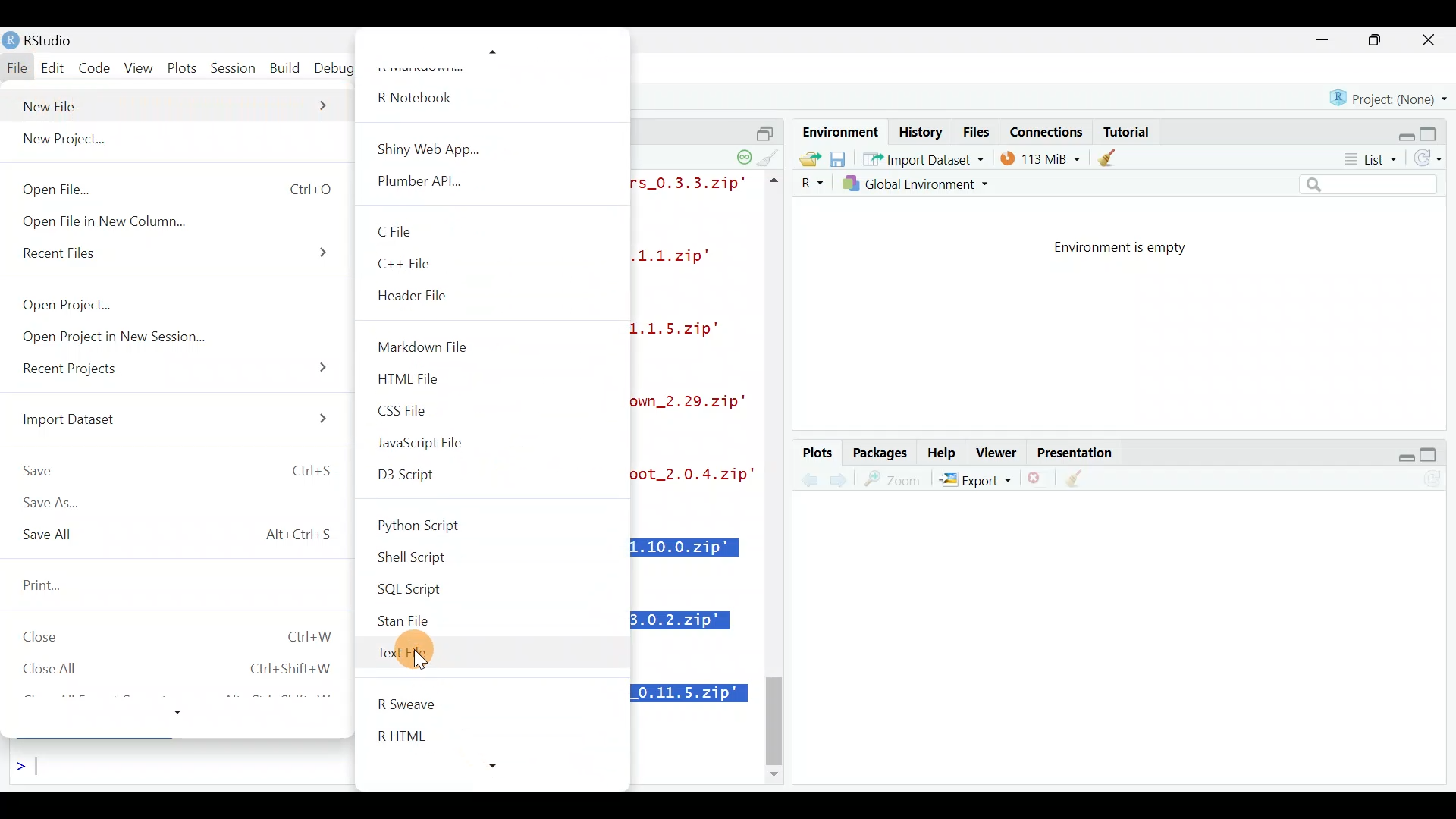 This screenshot has width=1456, height=819. I want to click on Project (none), so click(1393, 96).